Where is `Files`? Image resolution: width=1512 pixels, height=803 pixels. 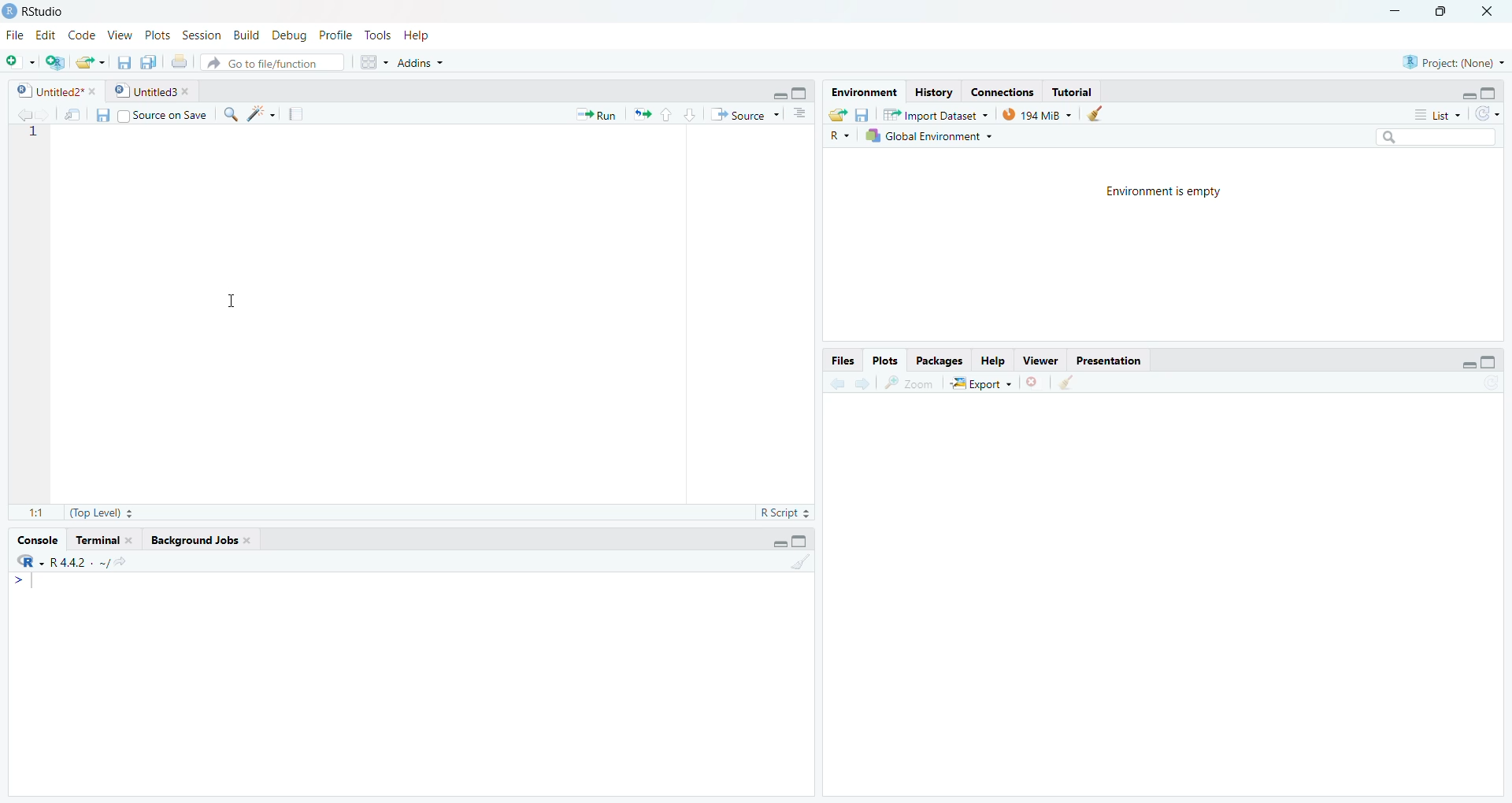 Files is located at coordinates (844, 361).